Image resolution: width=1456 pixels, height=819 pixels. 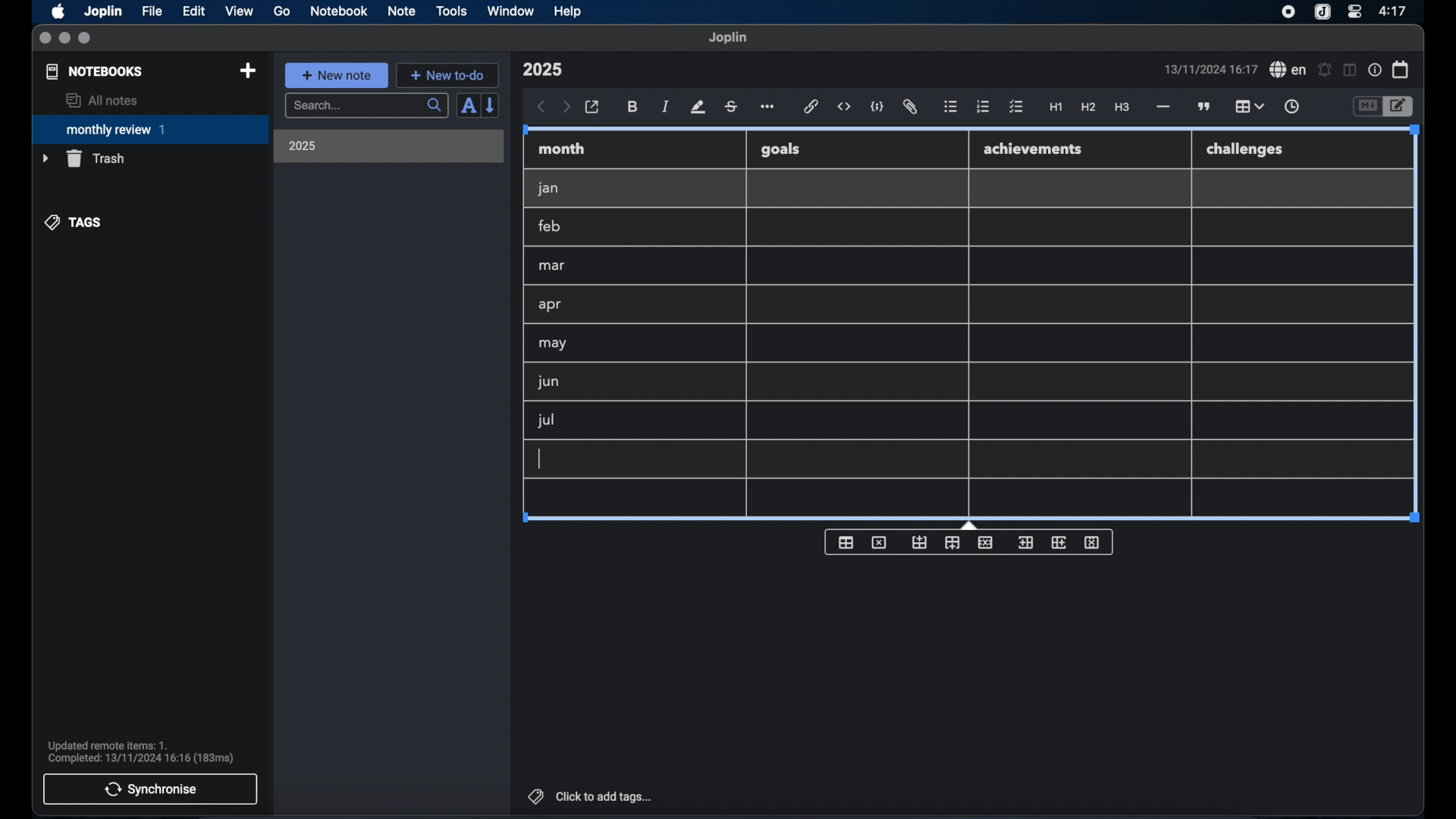 I want to click on jul, so click(x=544, y=421).